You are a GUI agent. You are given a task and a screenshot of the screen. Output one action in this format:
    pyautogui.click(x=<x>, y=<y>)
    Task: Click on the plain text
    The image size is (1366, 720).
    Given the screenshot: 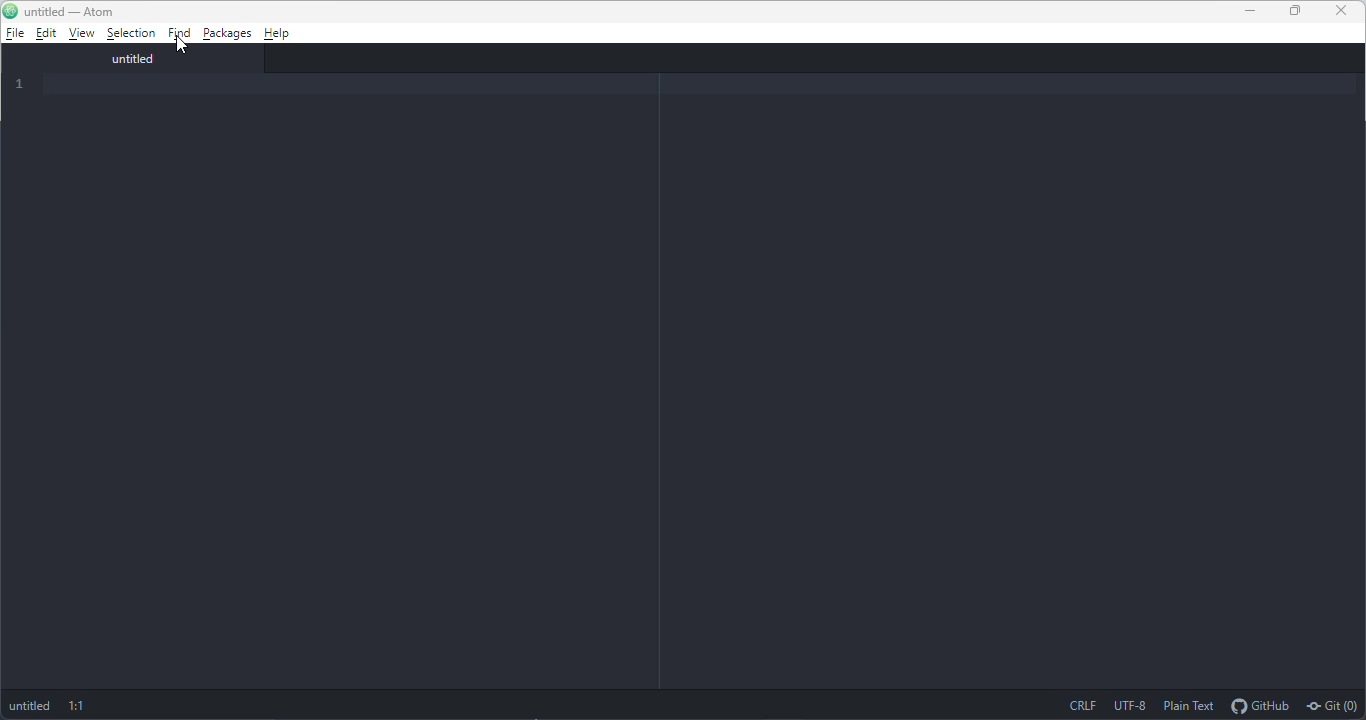 What is the action you would take?
    pyautogui.click(x=1188, y=706)
    